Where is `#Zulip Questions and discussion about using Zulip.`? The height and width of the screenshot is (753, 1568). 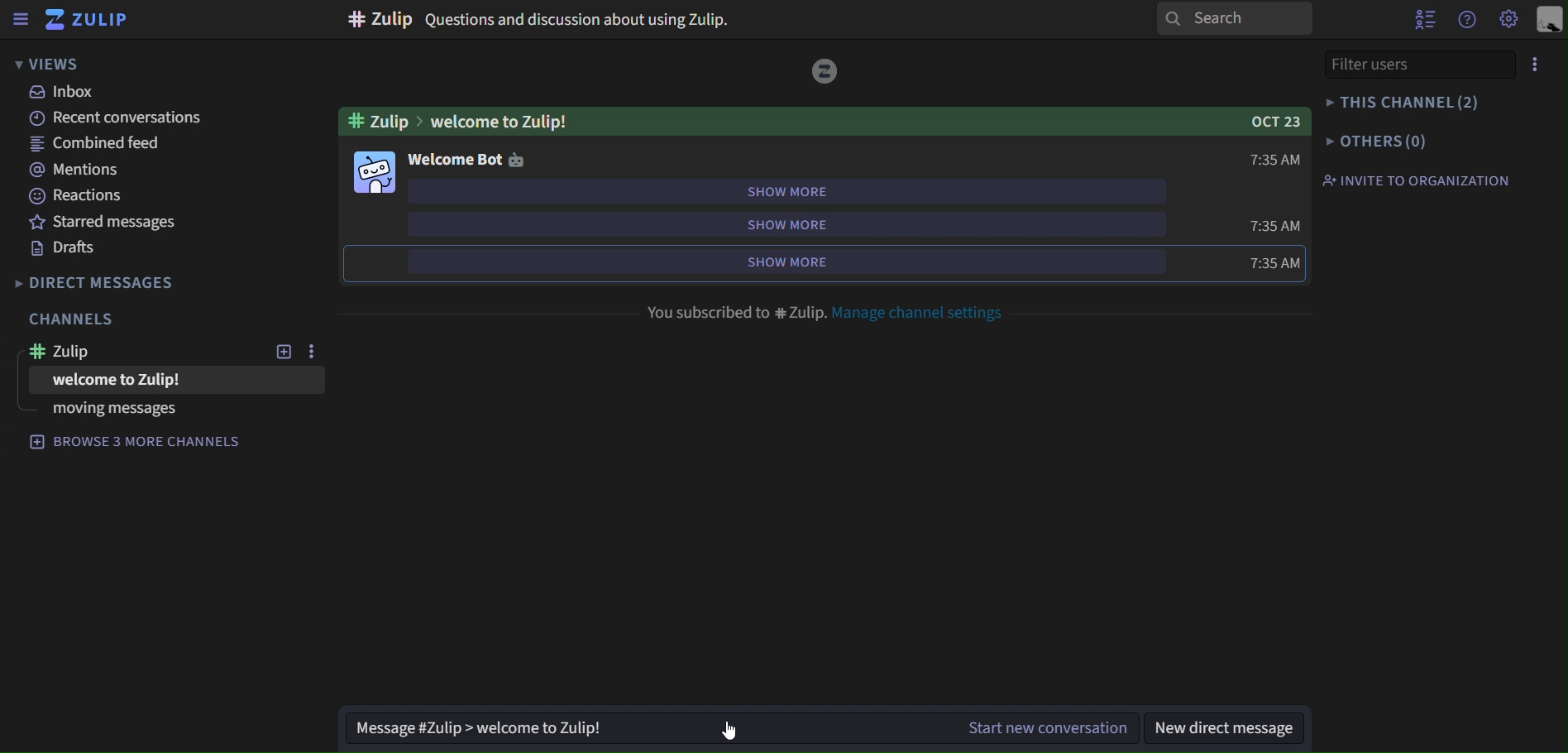
#Zulip Questions and discussion about using Zulip. is located at coordinates (543, 21).